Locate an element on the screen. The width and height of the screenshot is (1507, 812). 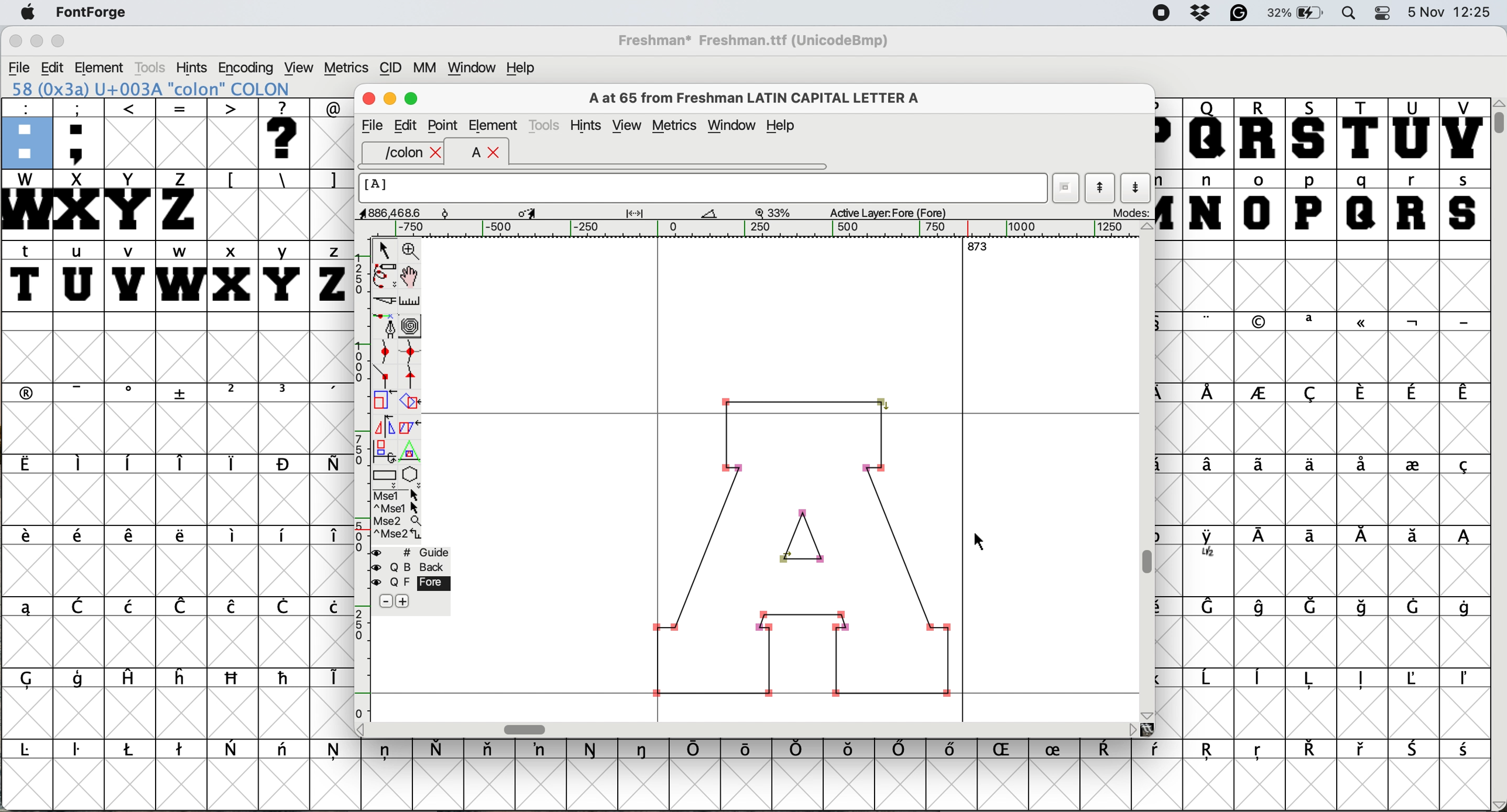
vertical scroll bar is located at coordinates (1148, 472).